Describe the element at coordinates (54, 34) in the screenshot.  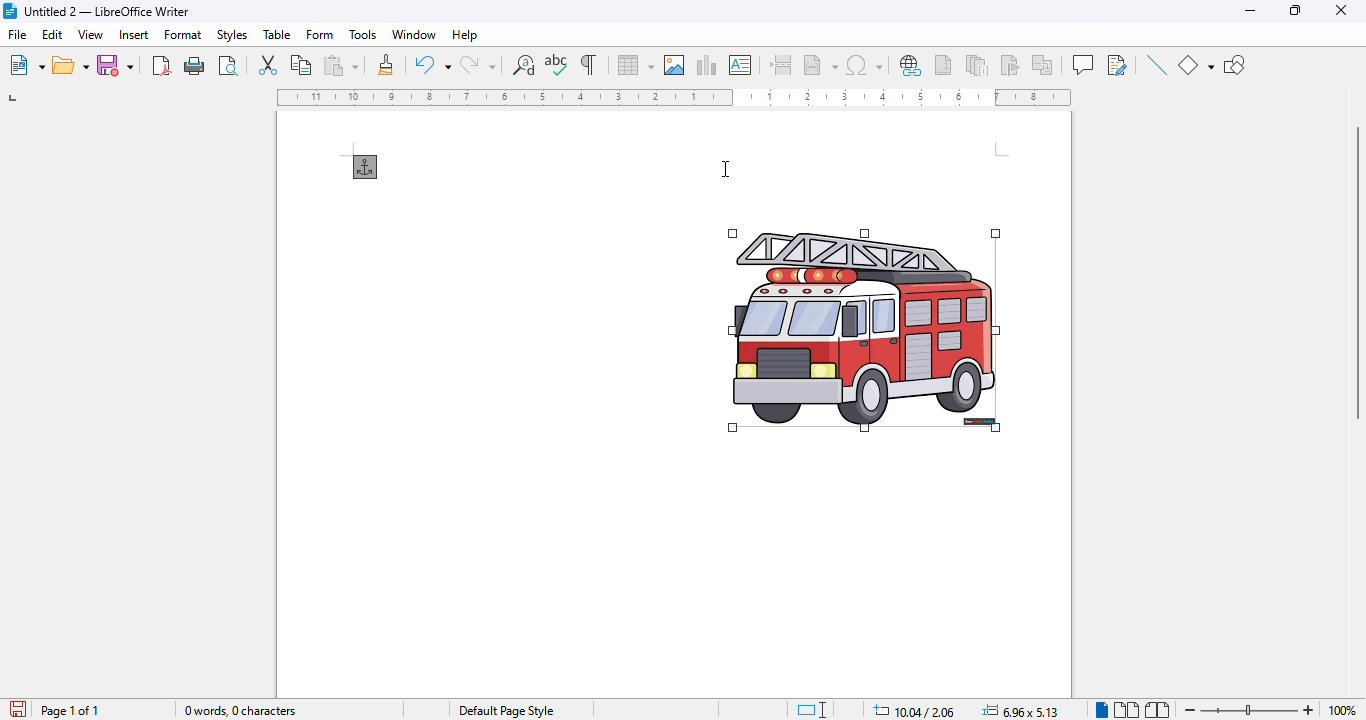
I see `edit` at that location.